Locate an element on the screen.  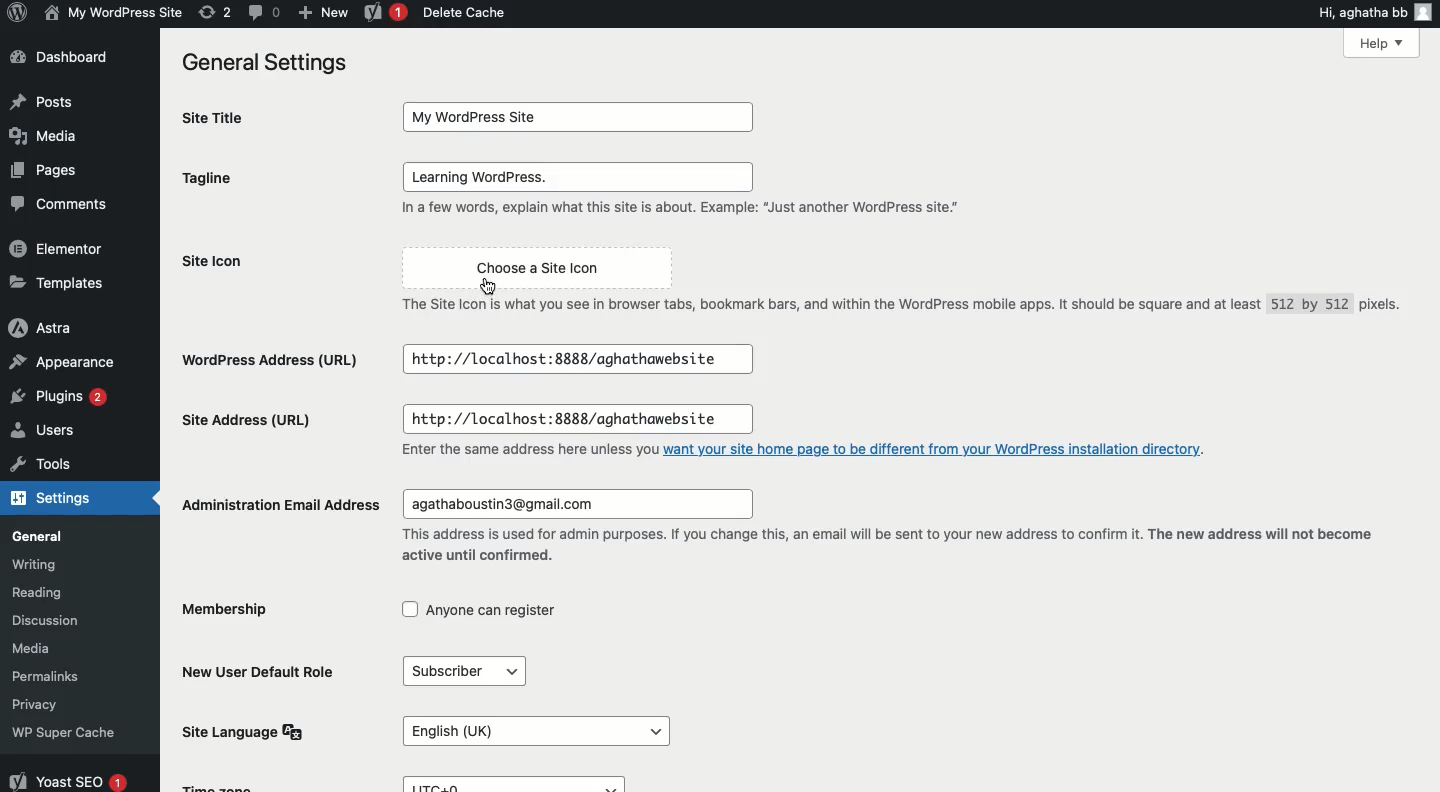
Learning WordPress. is located at coordinates (578, 177).